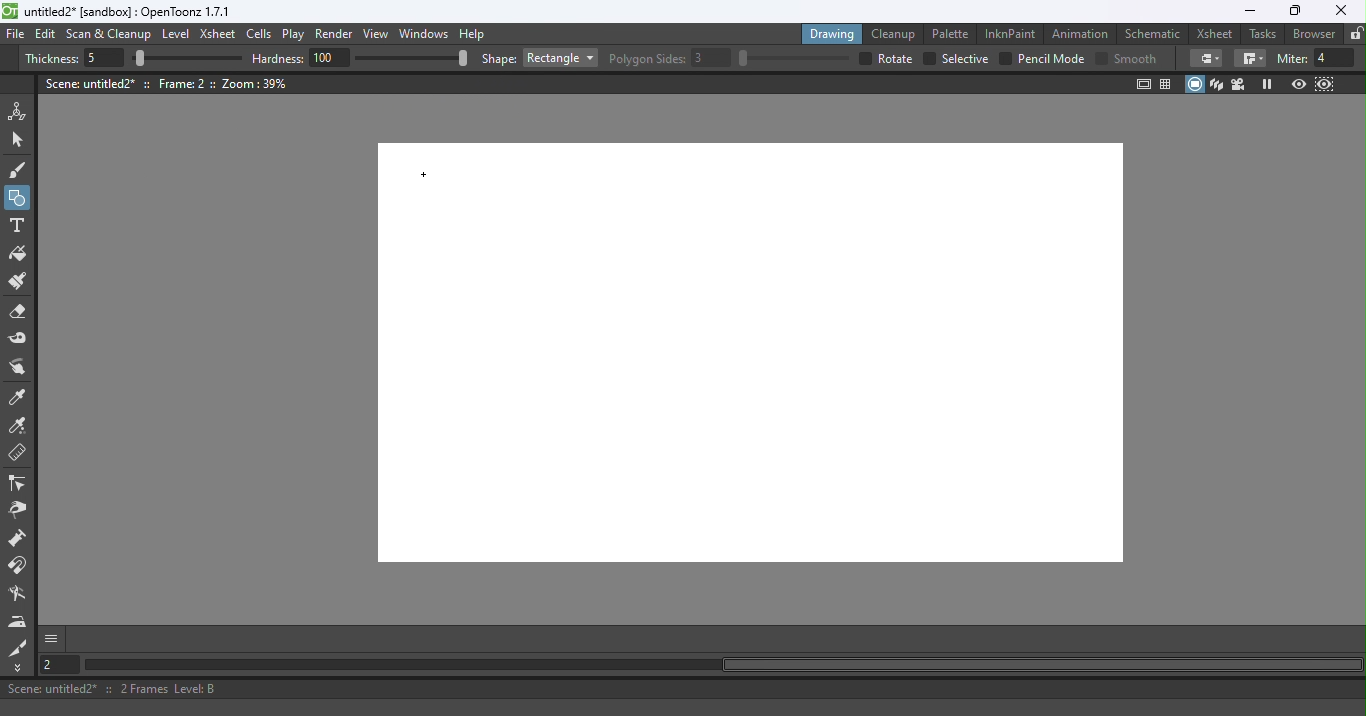 The height and width of the screenshot is (716, 1366). What do you see at coordinates (1218, 84) in the screenshot?
I see `3D View` at bounding box center [1218, 84].